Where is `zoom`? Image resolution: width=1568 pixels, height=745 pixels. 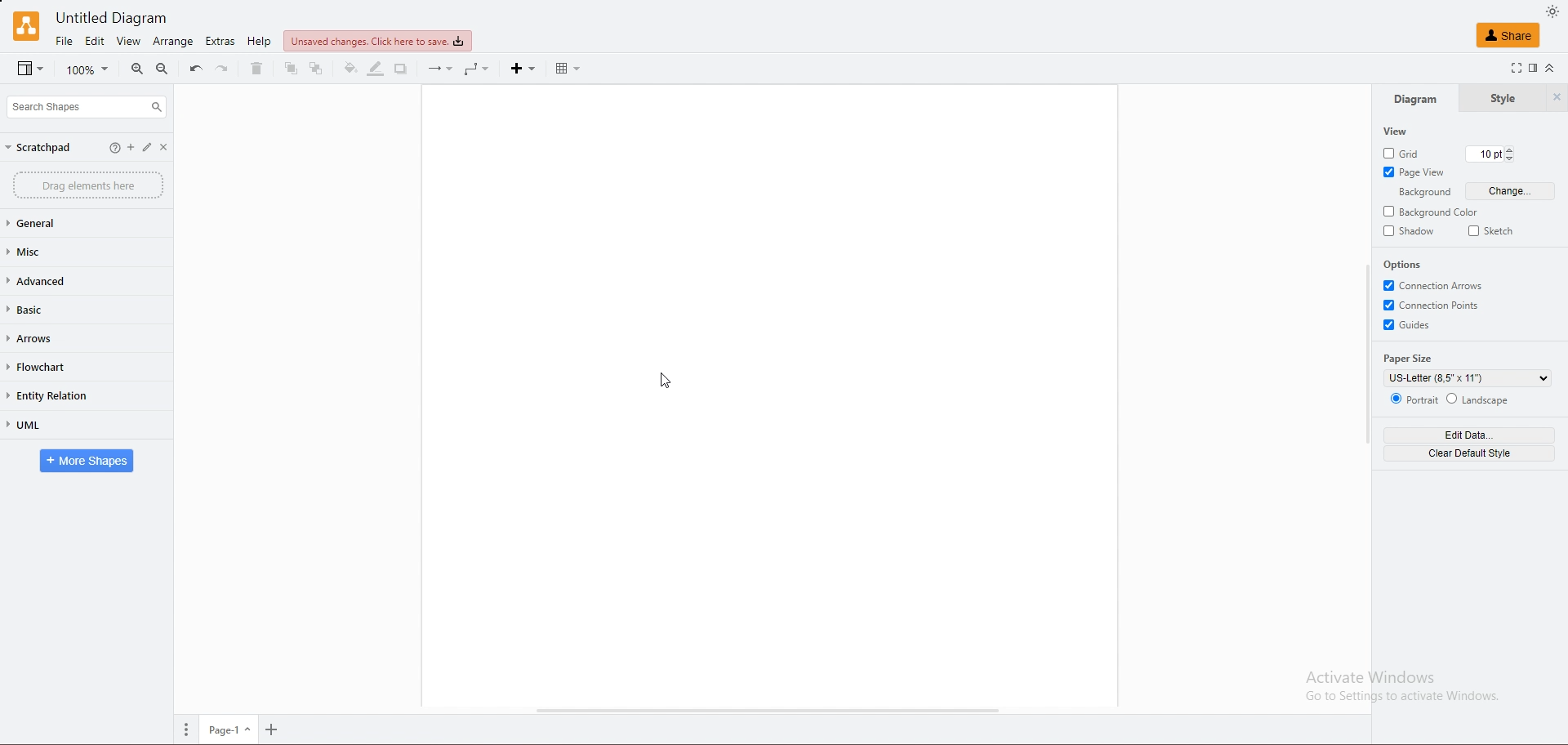
zoom is located at coordinates (274, 729).